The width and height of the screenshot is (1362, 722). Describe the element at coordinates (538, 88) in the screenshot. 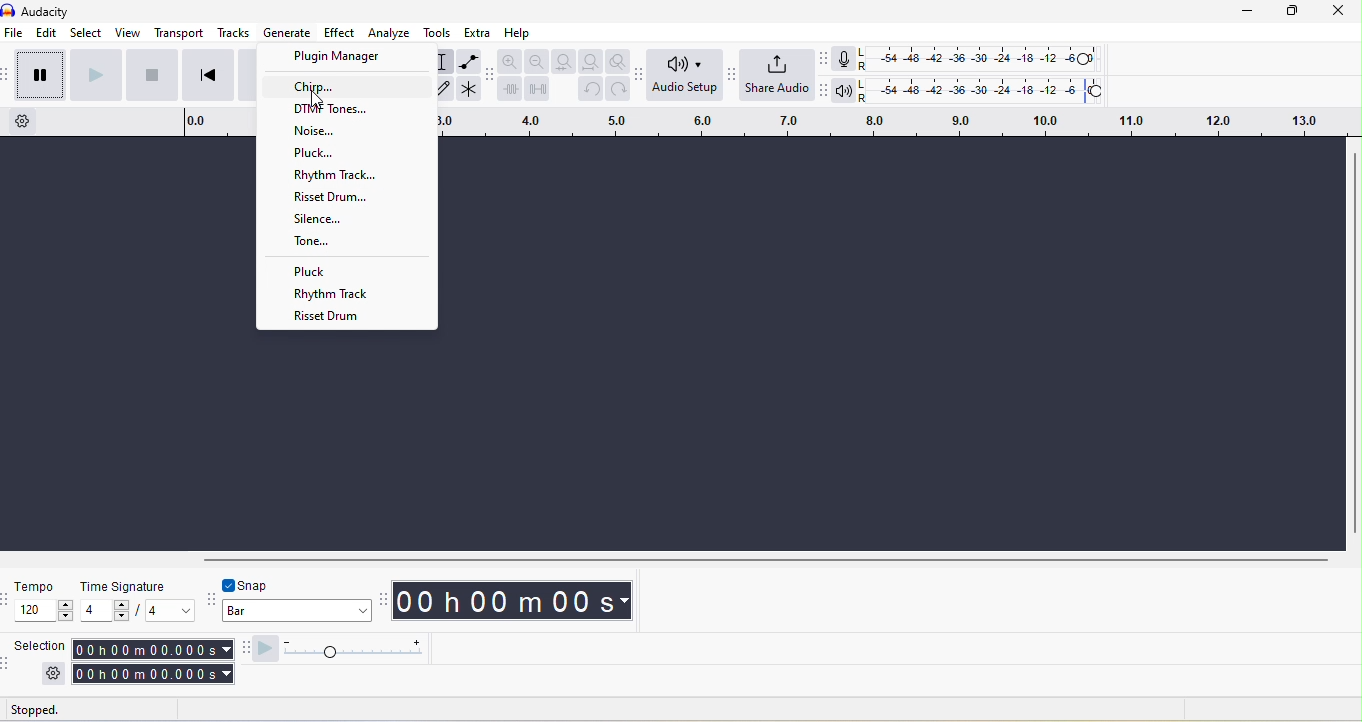

I see `silence audio selection` at that location.